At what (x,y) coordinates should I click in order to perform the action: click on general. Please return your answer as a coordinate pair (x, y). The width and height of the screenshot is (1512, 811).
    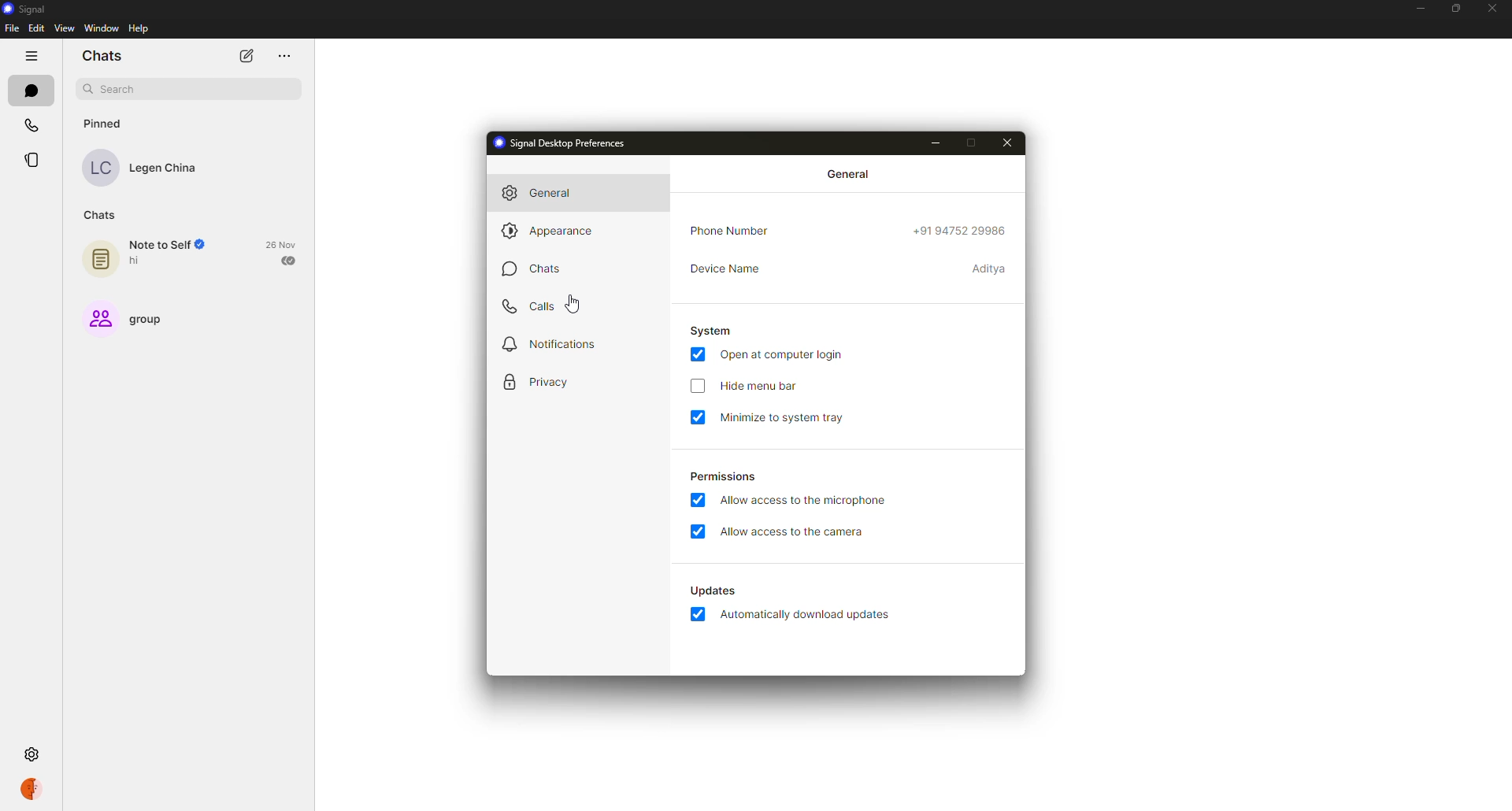
    Looking at the image, I should click on (540, 193).